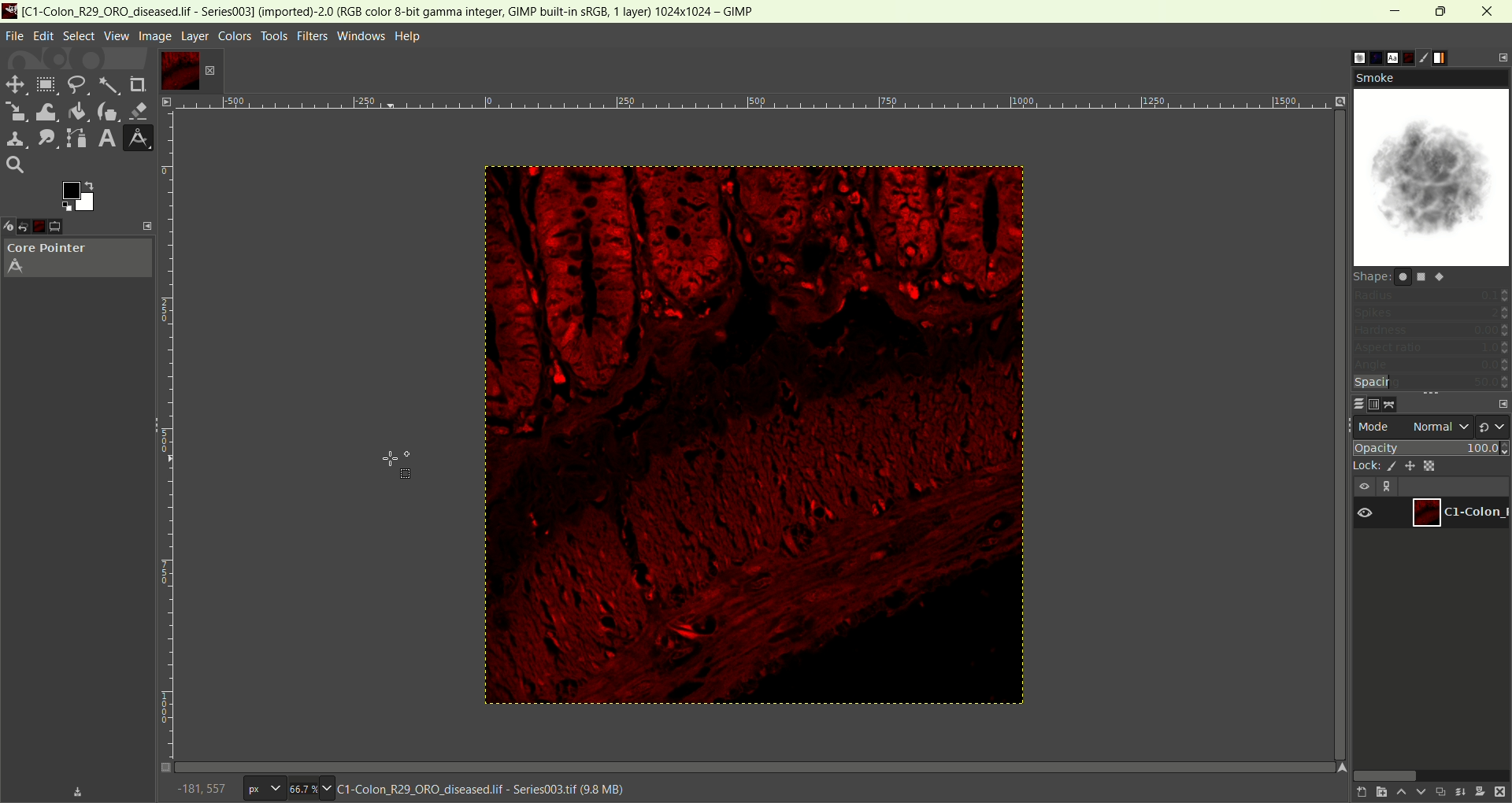 Image resolution: width=1512 pixels, height=803 pixels. I want to click on core pointer, so click(78, 260).